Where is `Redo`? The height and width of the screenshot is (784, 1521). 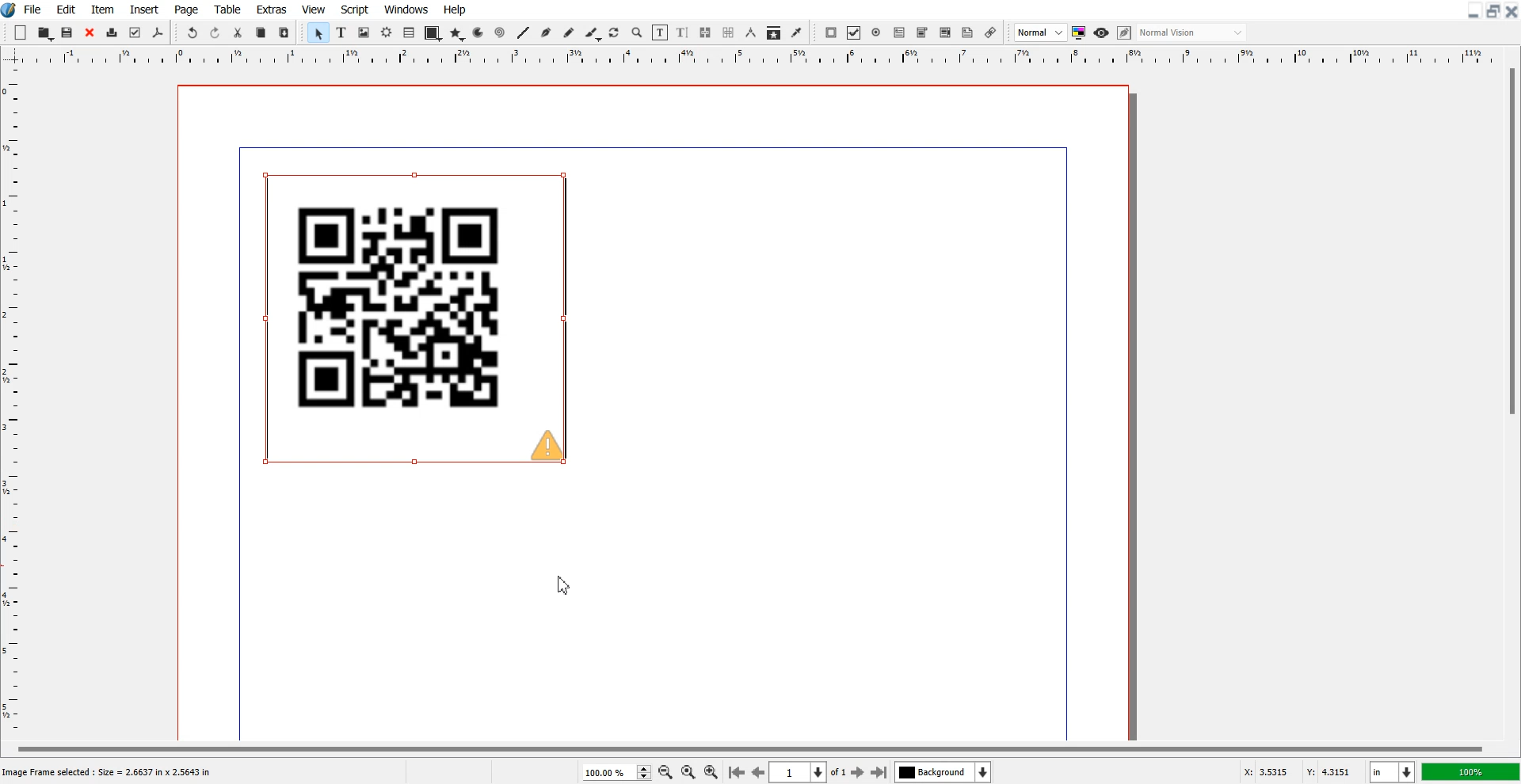
Redo is located at coordinates (215, 32).